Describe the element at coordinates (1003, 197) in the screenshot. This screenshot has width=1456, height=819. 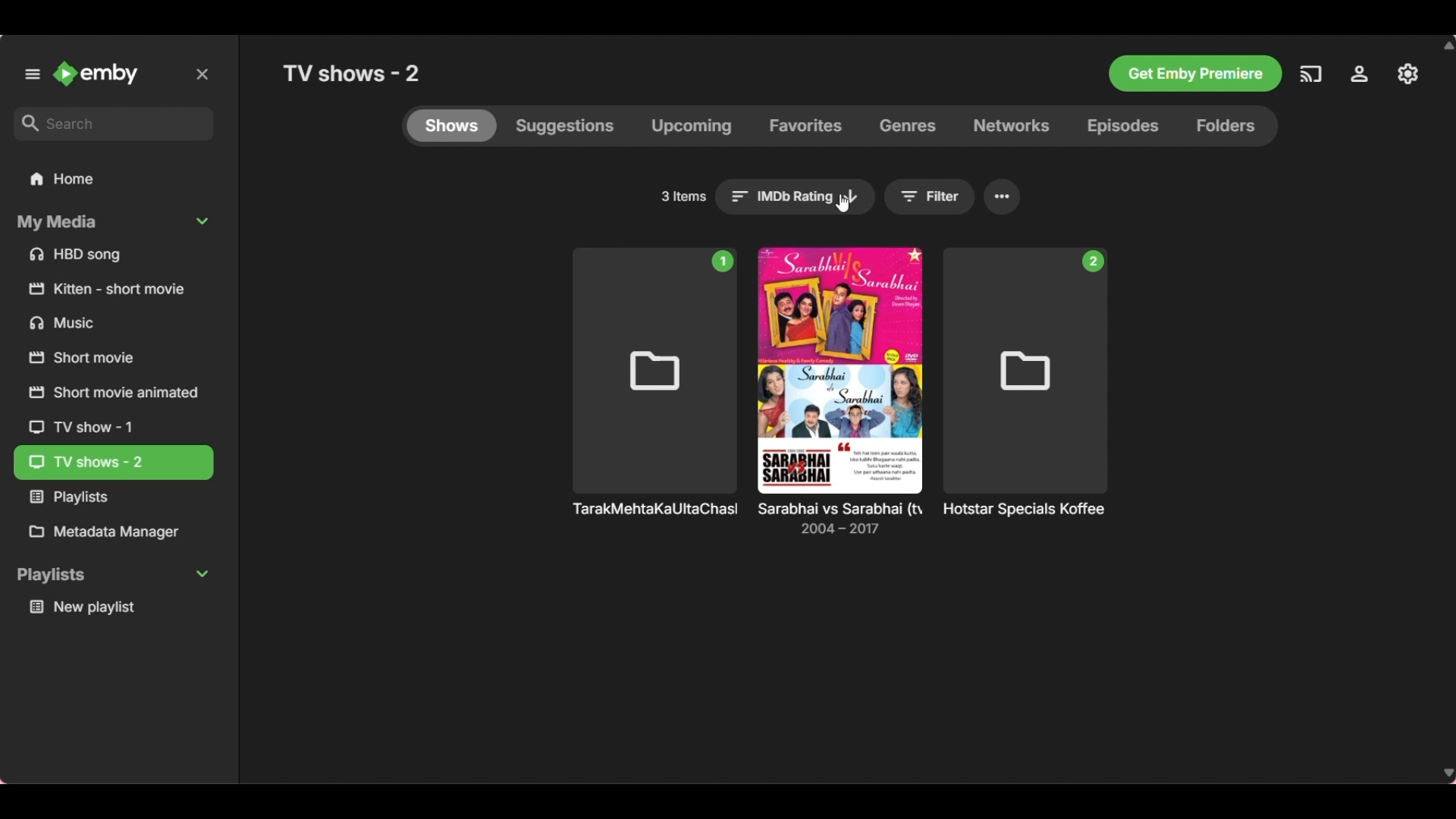
I see `More settings` at that location.